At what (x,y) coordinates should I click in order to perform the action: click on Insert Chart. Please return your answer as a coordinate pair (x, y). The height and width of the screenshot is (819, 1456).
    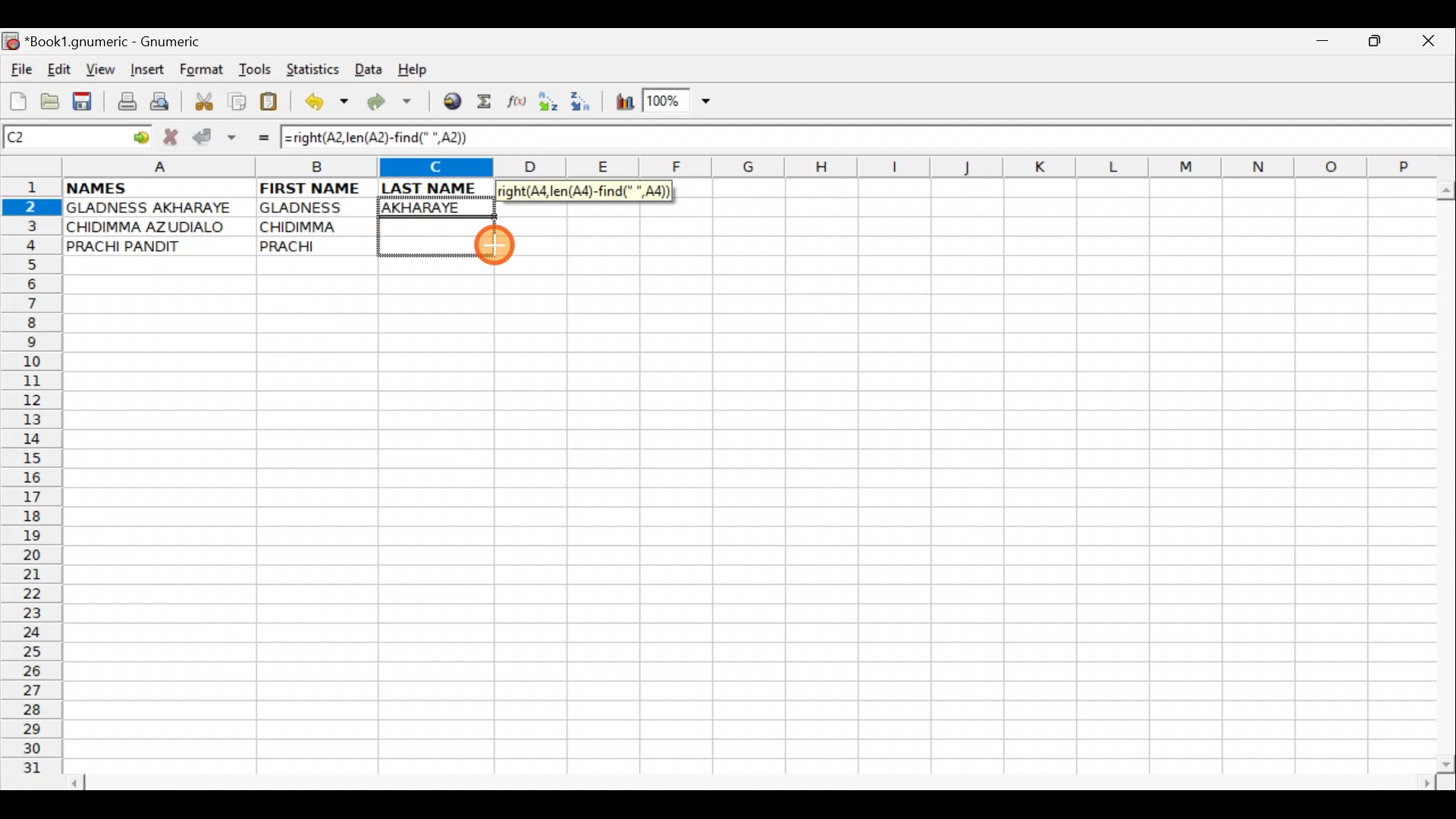
    Looking at the image, I should click on (620, 104).